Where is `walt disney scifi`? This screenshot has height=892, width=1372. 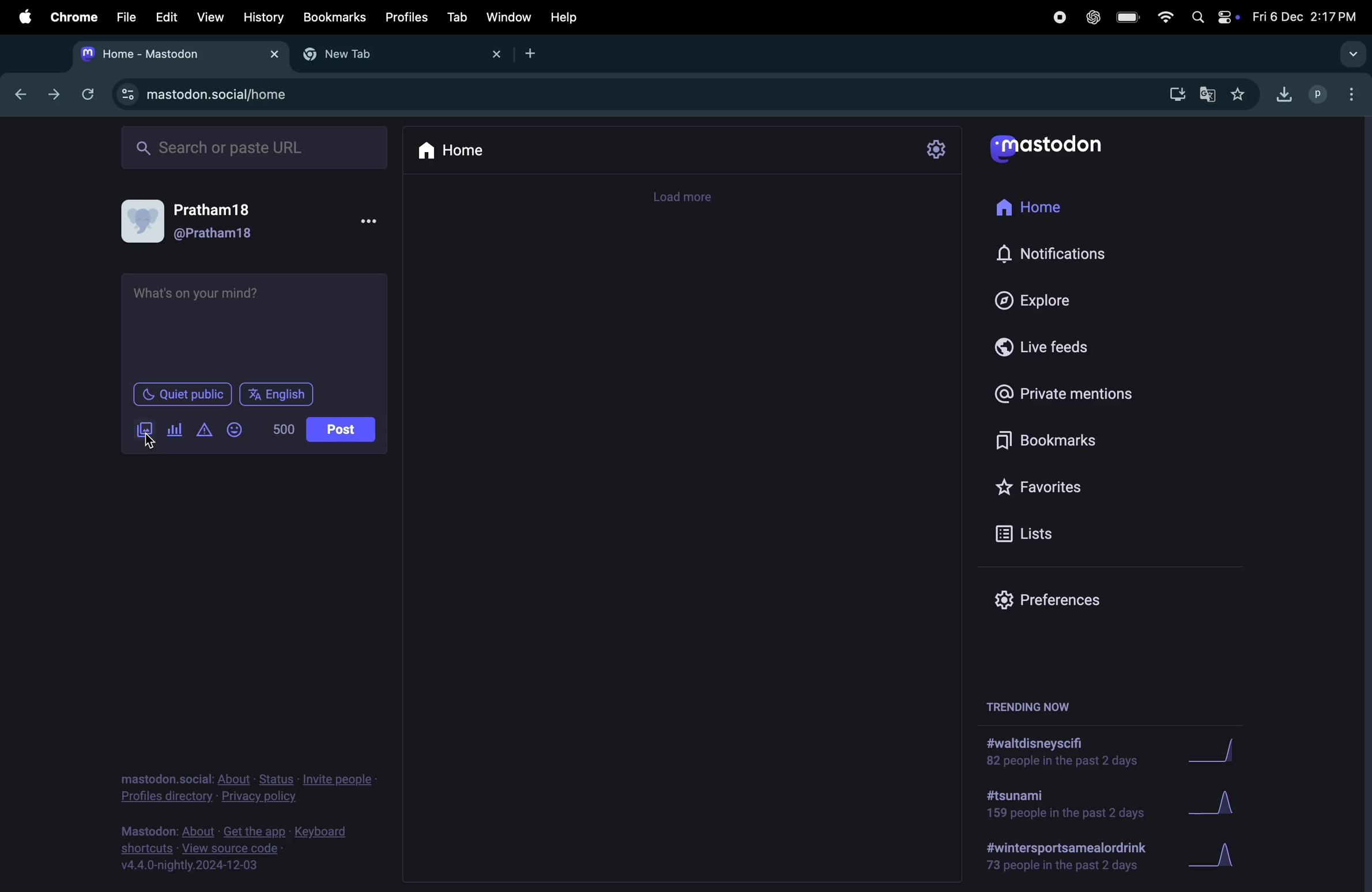 walt disney scifi is located at coordinates (1073, 747).